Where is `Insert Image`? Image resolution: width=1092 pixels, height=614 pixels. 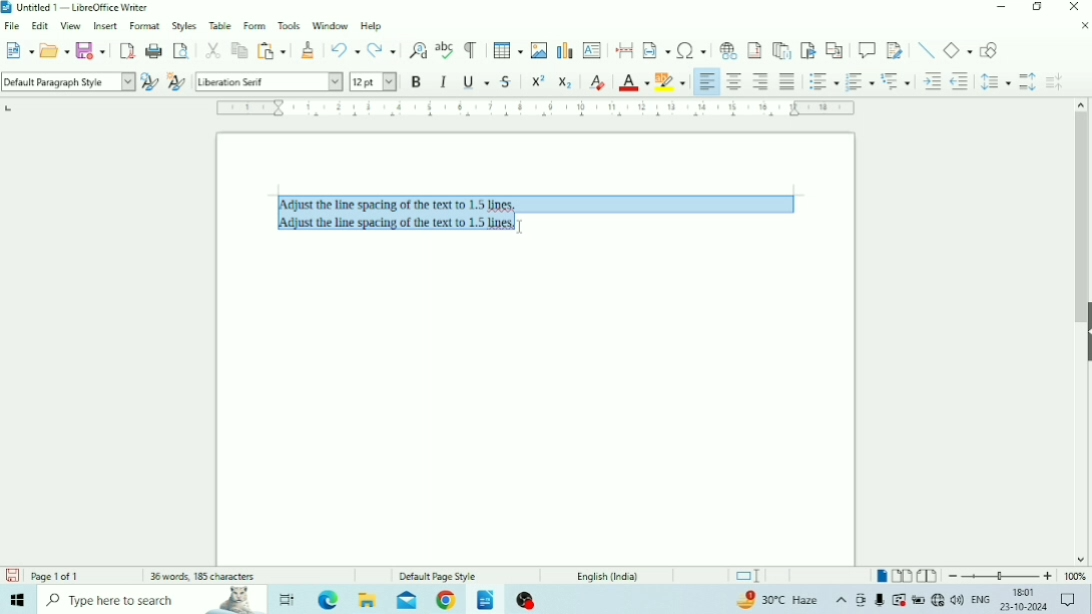 Insert Image is located at coordinates (539, 48).